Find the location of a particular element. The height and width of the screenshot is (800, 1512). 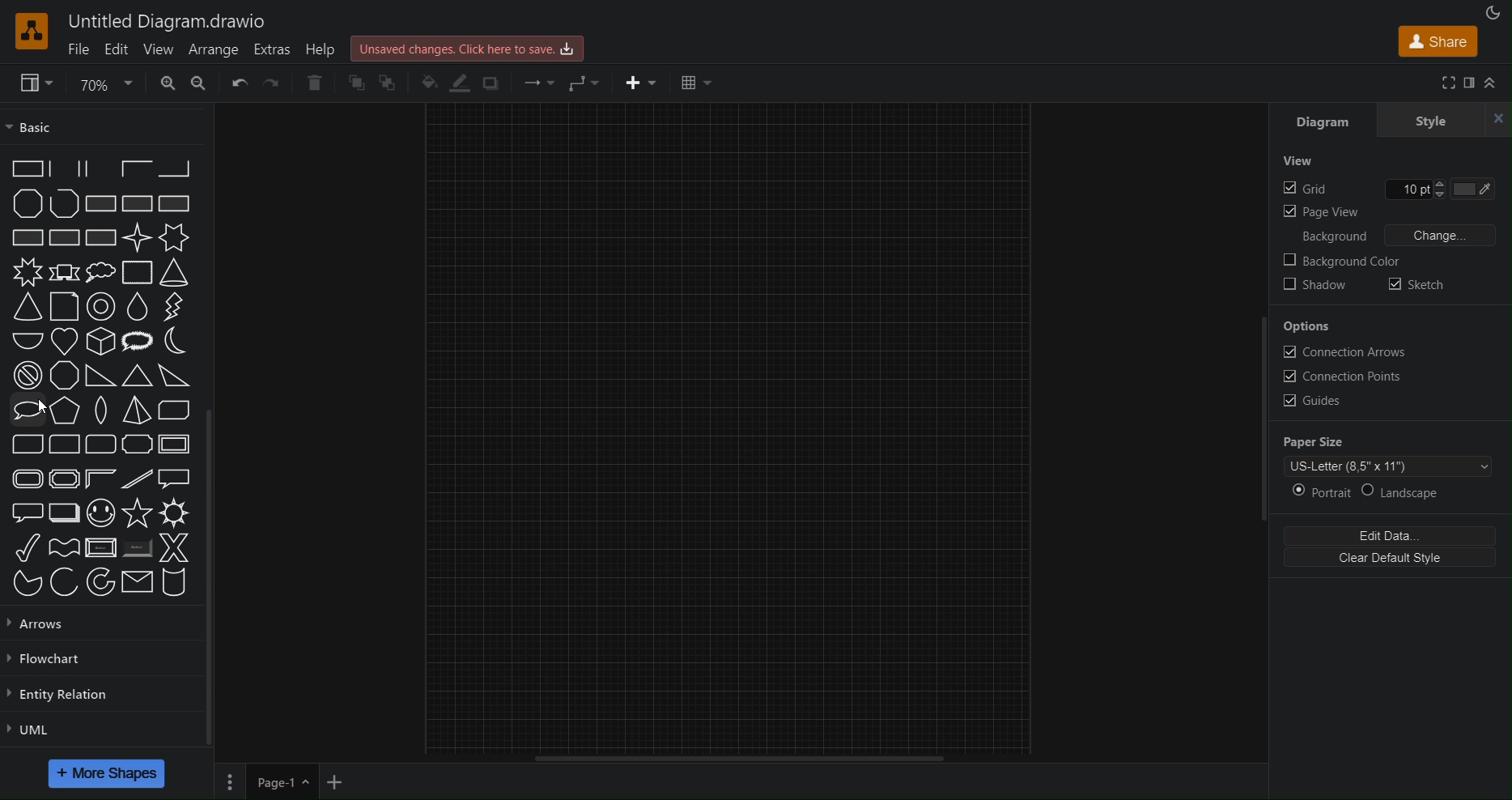

Extras is located at coordinates (273, 49).